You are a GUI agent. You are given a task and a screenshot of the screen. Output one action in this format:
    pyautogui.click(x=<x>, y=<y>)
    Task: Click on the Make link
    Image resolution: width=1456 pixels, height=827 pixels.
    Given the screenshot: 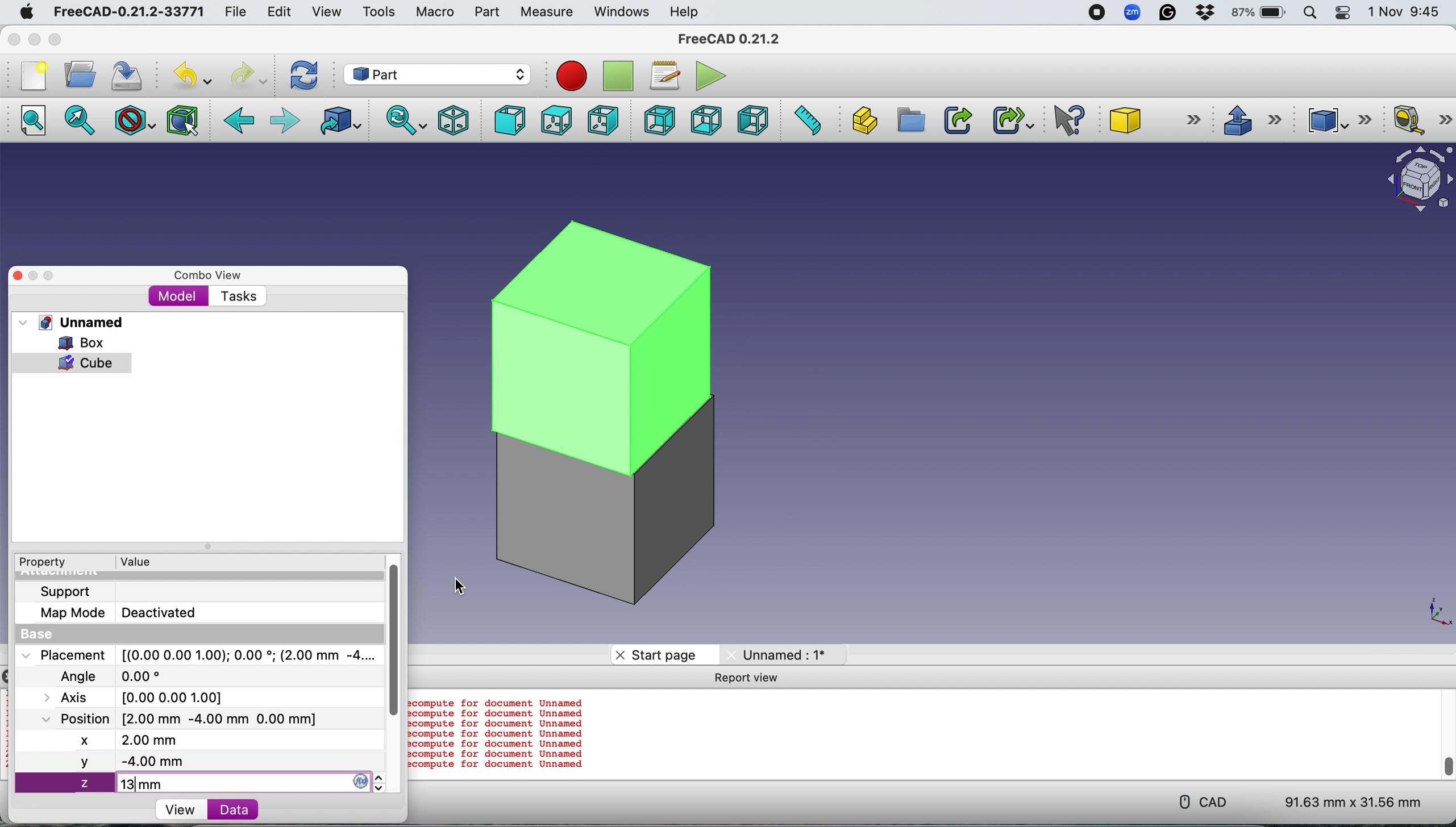 What is the action you would take?
    pyautogui.click(x=958, y=120)
    